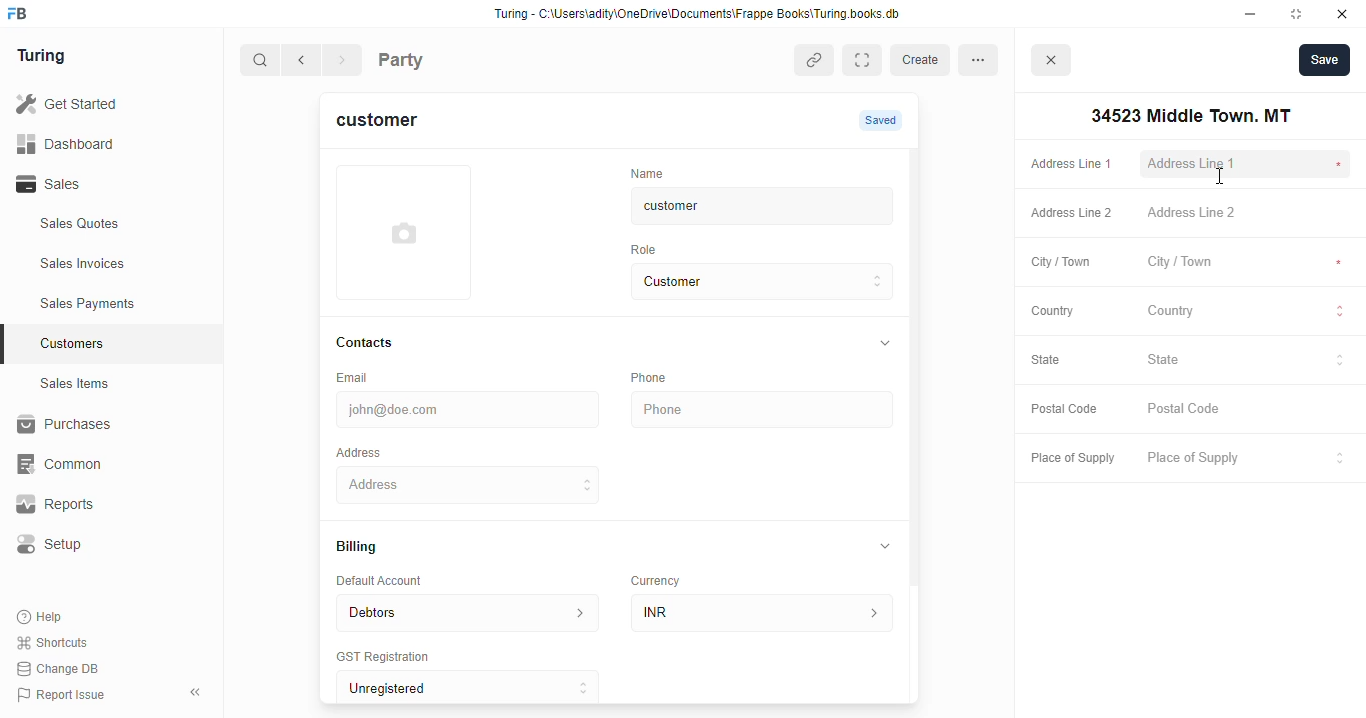  What do you see at coordinates (883, 120) in the screenshot?
I see `Saved` at bounding box center [883, 120].